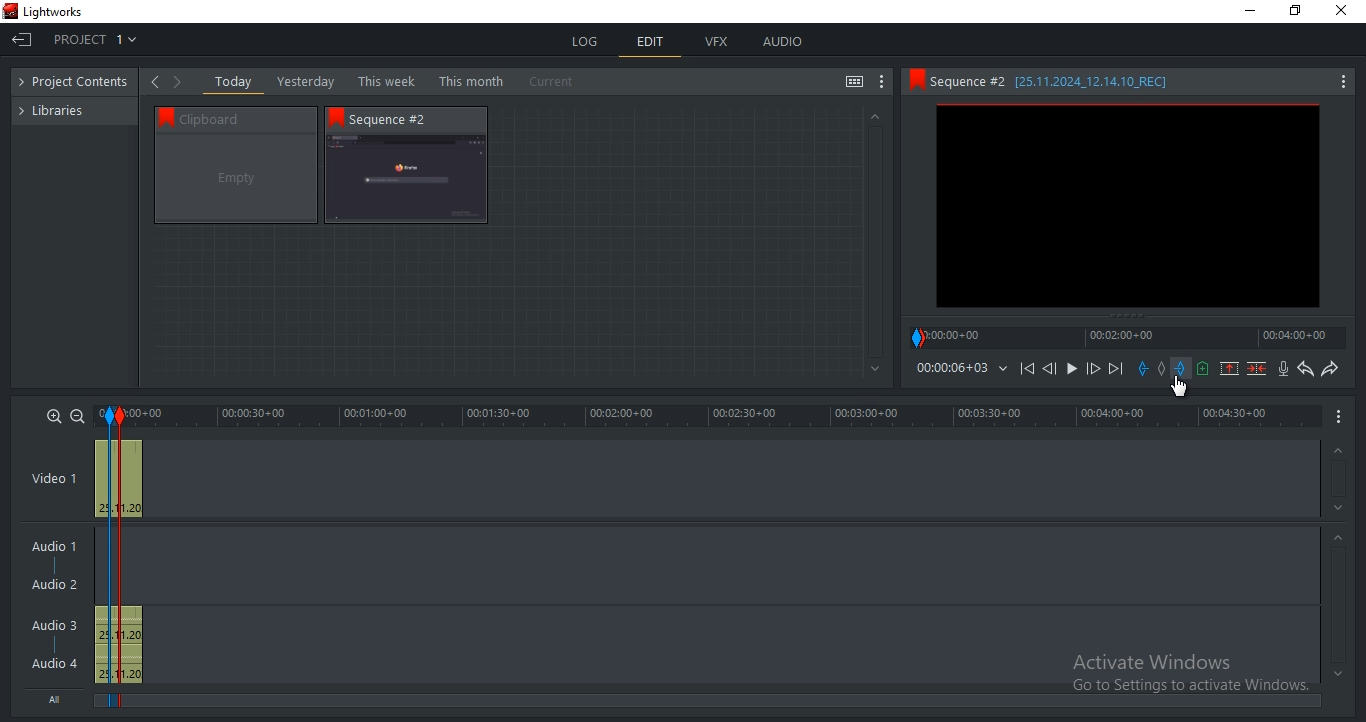 This screenshot has width=1366, height=722. What do you see at coordinates (1340, 415) in the screenshot?
I see `show menu` at bounding box center [1340, 415].